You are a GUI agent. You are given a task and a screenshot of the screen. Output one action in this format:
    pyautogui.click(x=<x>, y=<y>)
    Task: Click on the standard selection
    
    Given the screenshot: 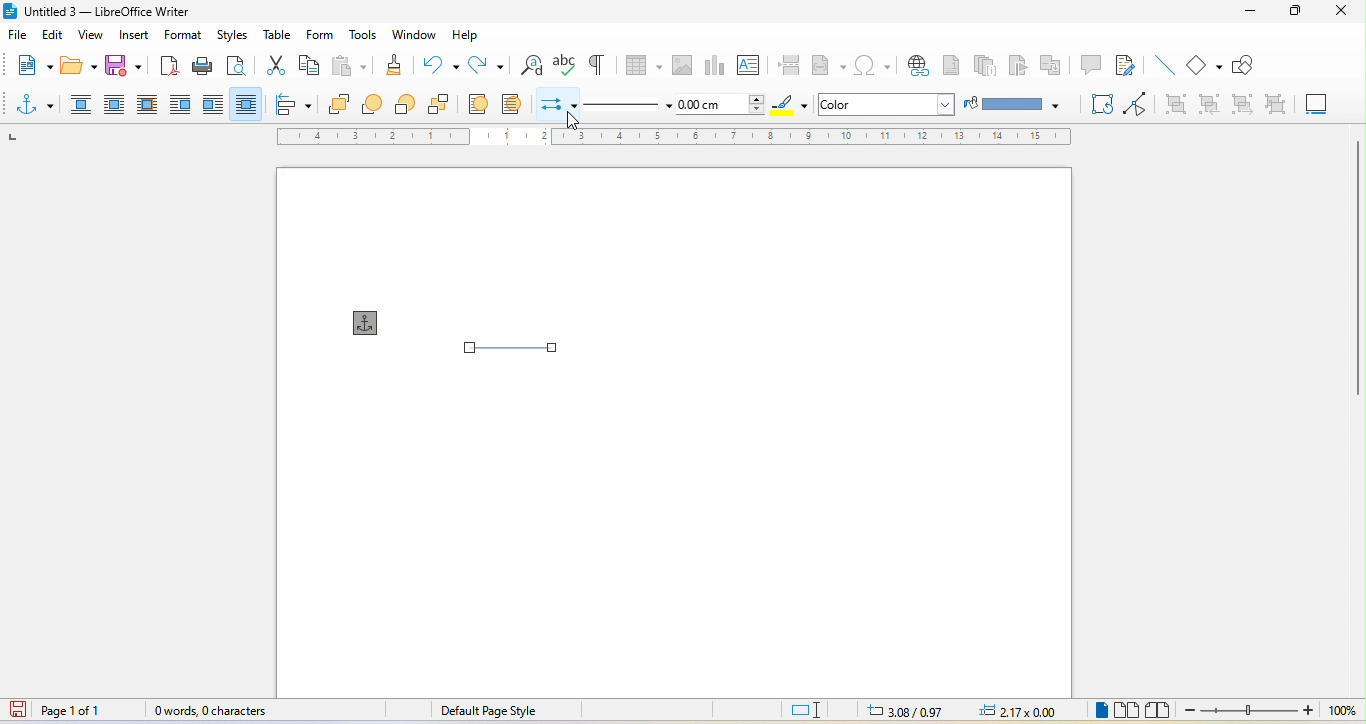 What is the action you would take?
    pyautogui.click(x=813, y=710)
    